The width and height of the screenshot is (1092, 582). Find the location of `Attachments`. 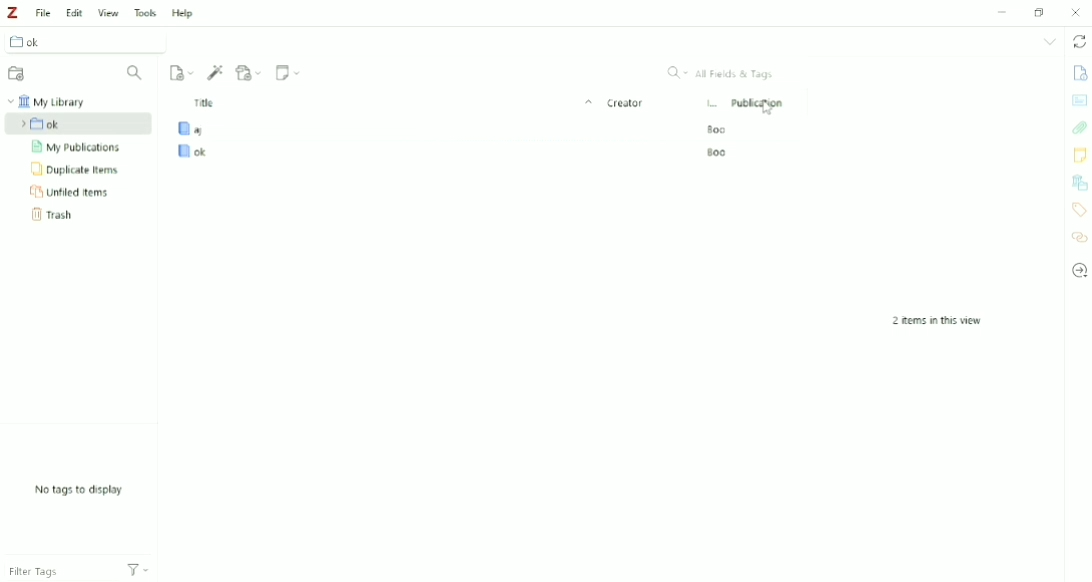

Attachments is located at coordinates (1079, 128).